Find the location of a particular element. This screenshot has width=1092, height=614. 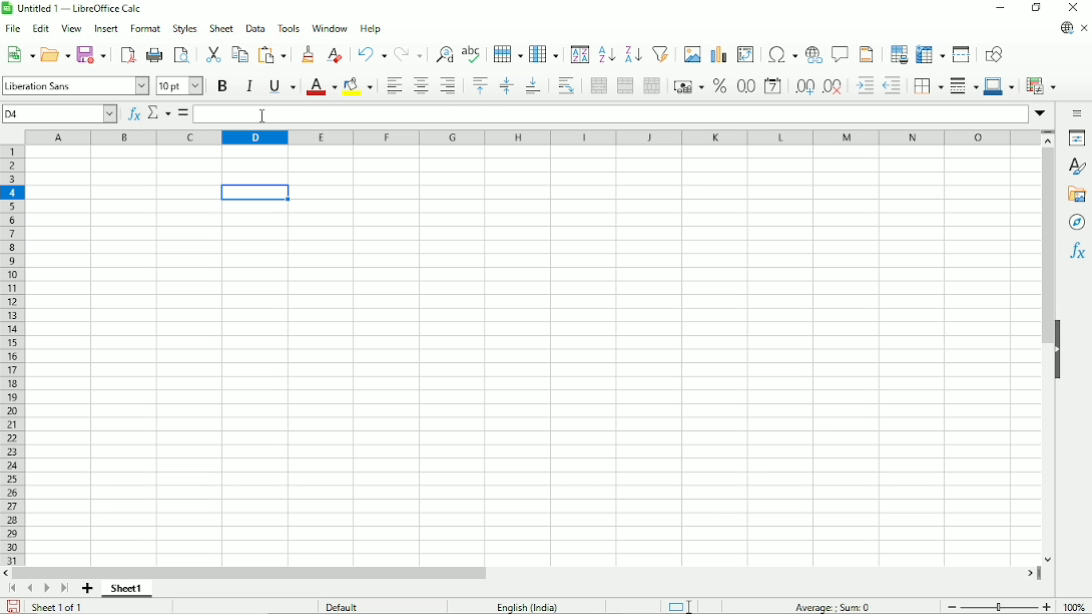

Clone formatting is located at coordinates (306, 54).